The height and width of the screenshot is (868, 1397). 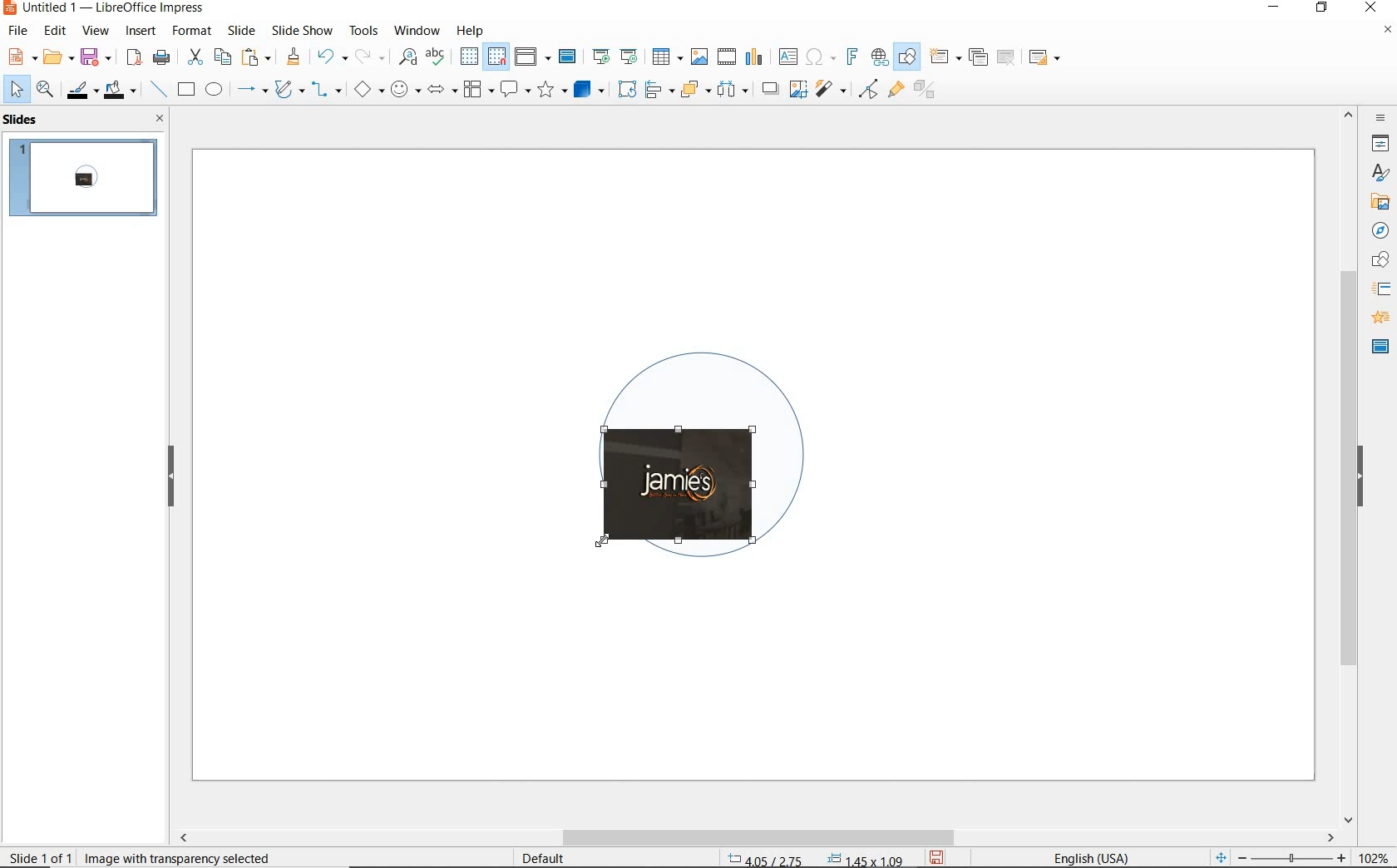 What do you see at coordinates (754, 57) in the screenshot?
I see `insert chart` at bounding box center [754, 57].